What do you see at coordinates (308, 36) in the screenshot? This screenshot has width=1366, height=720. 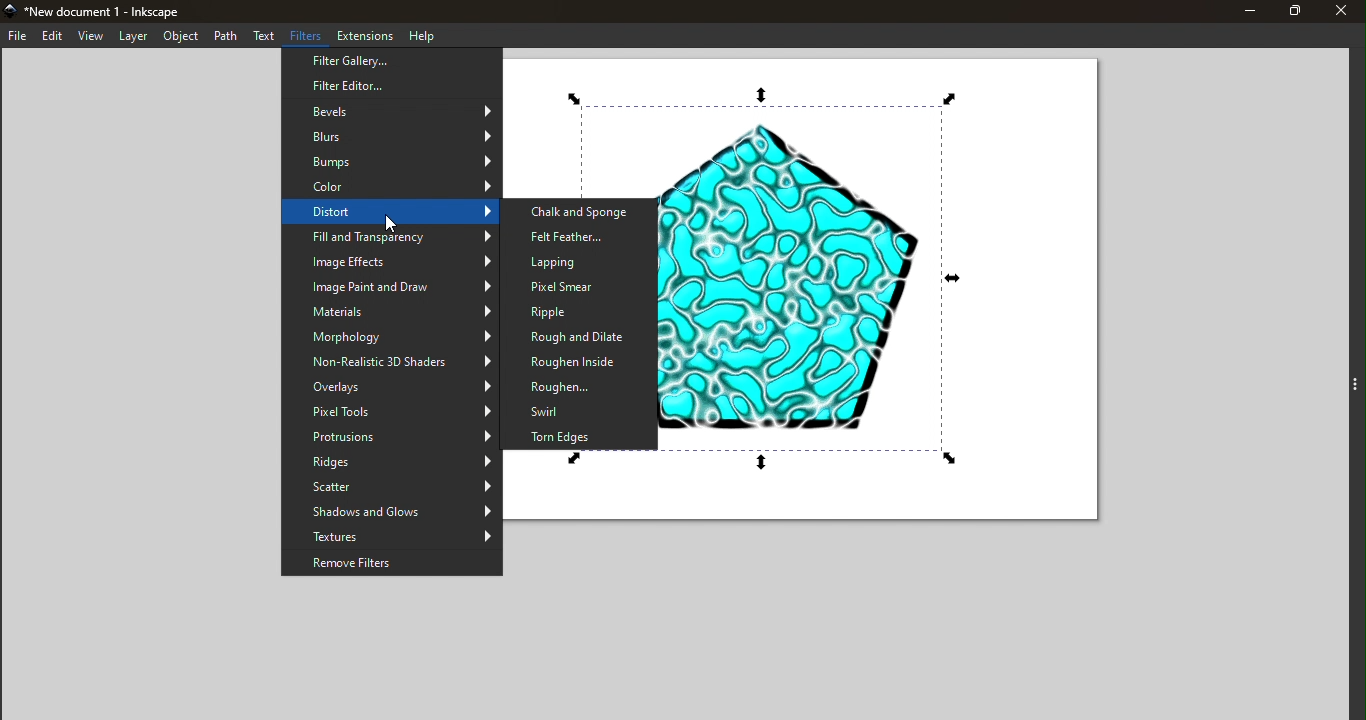 I see `Filters` at bounding box center [308, 36].